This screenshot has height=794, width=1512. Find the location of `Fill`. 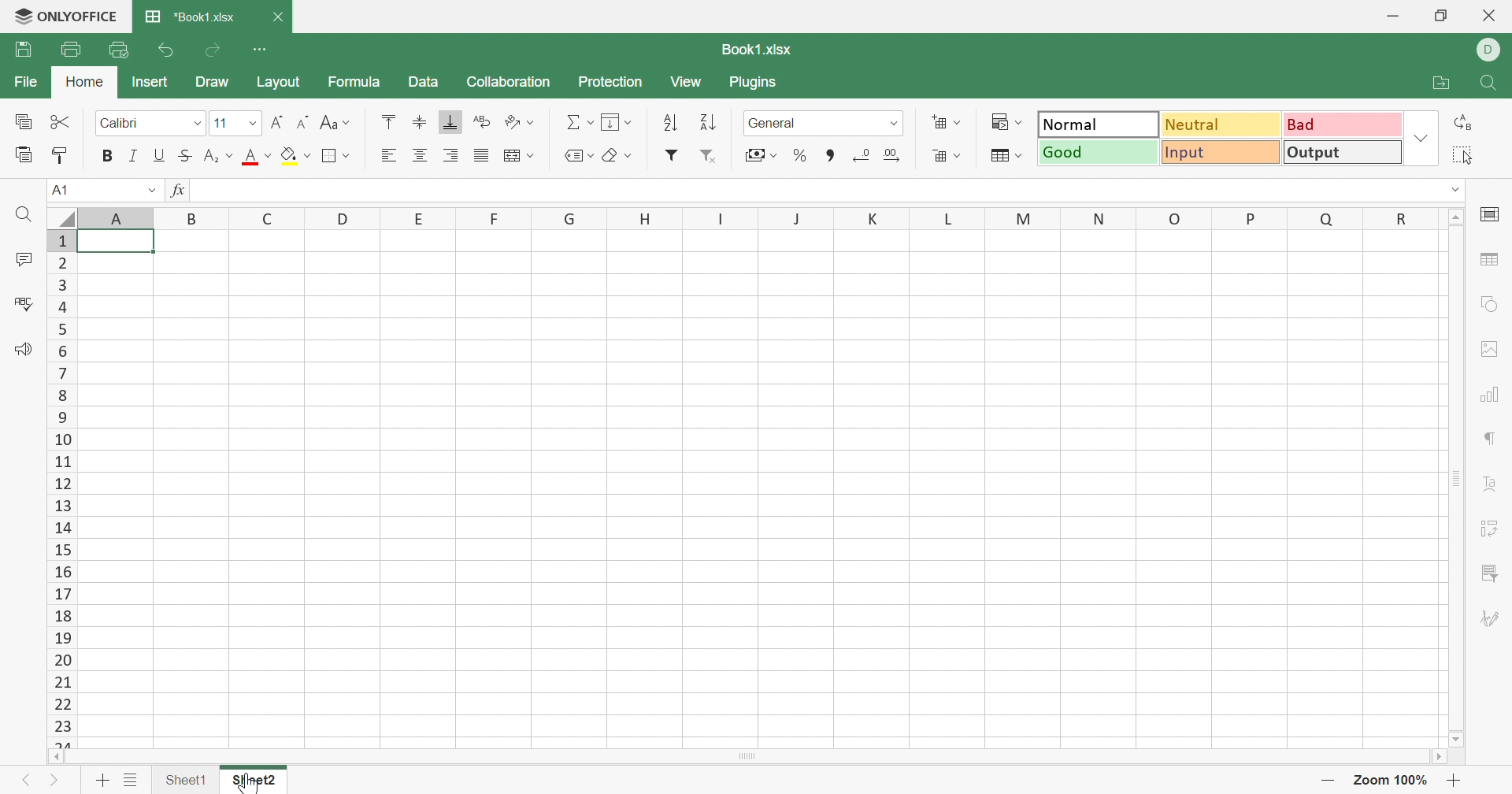

Fill is located at coordinates (613, 122).